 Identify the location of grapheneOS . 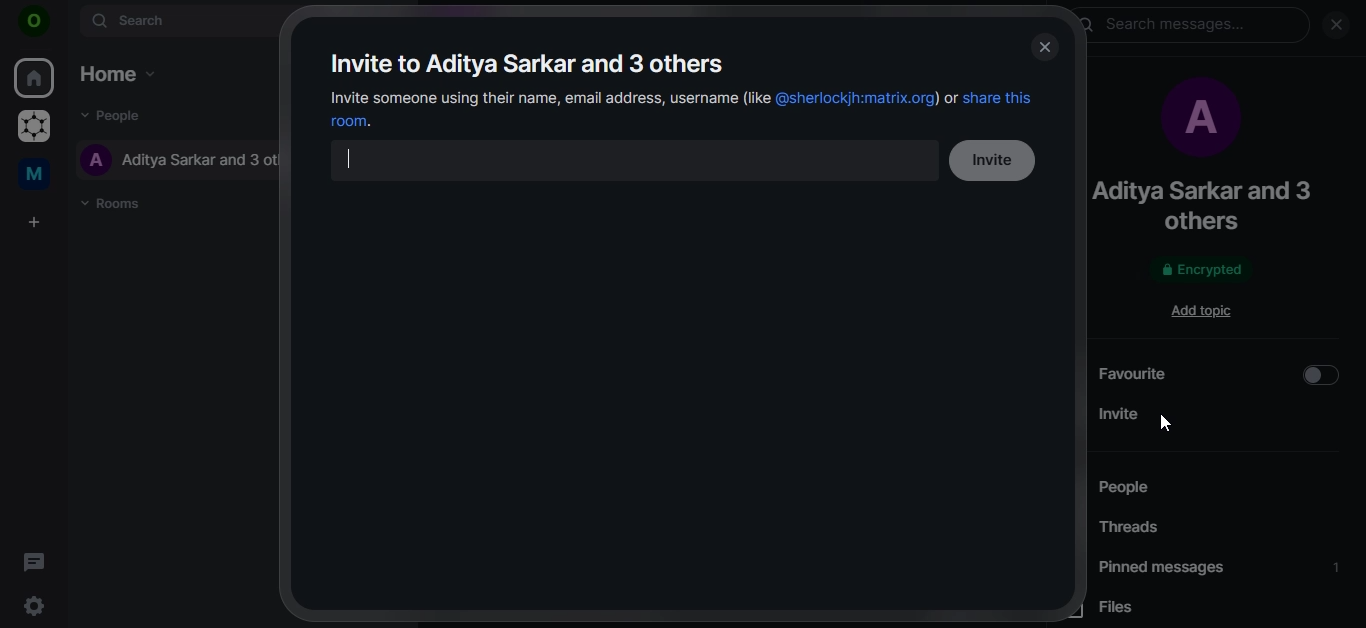
(32, 128).